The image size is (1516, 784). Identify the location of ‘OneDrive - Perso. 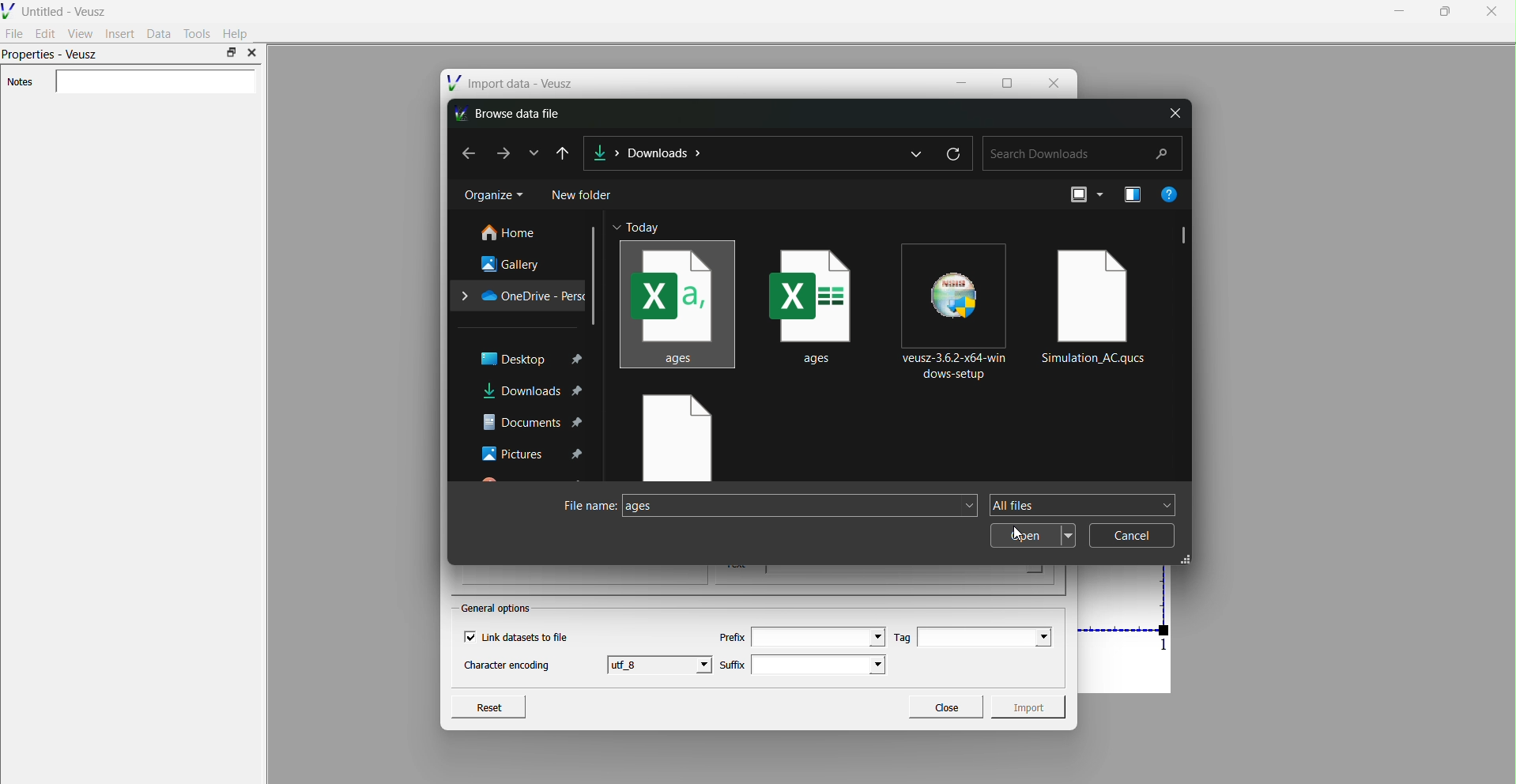
(521, 295).